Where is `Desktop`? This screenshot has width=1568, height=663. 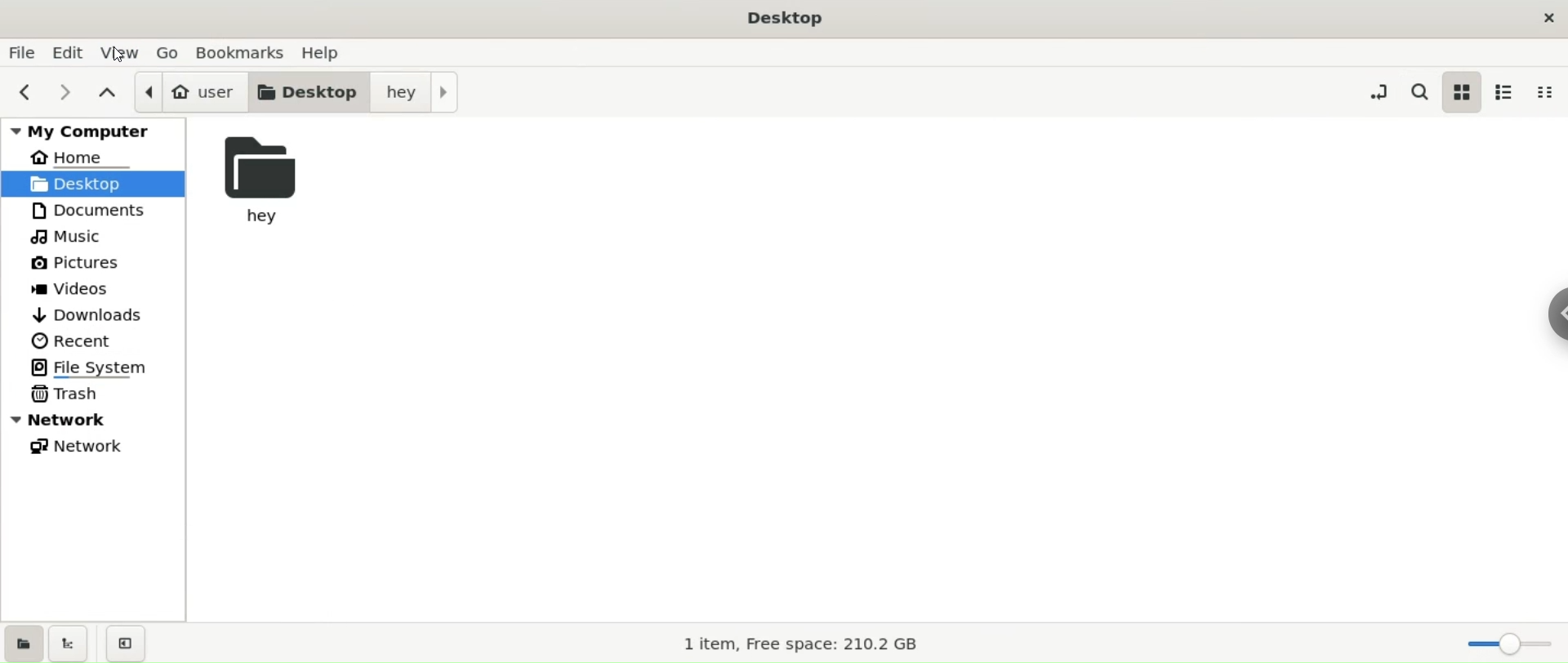 Desktop is located at coordinates (786, 19).